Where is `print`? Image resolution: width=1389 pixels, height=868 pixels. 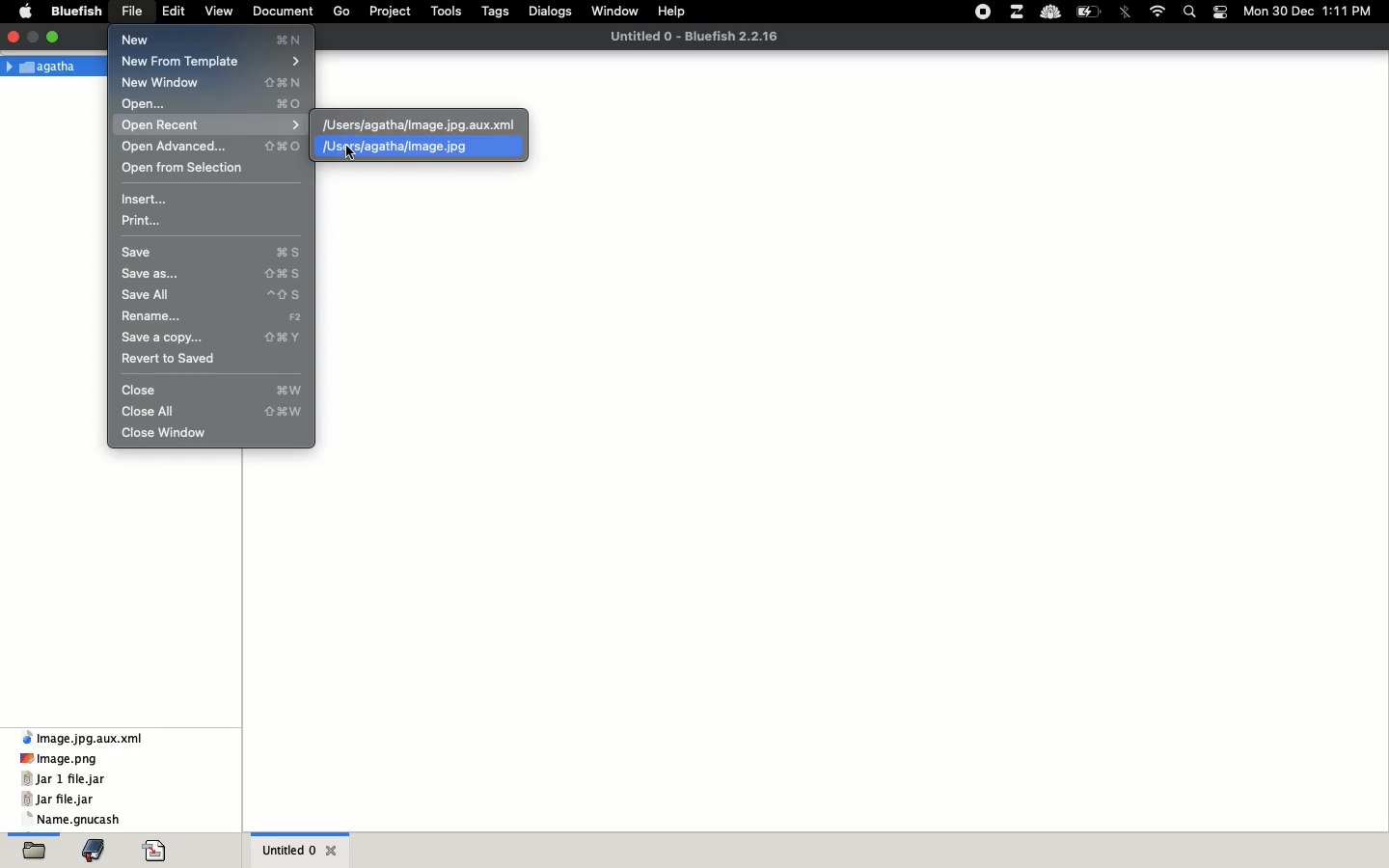
print is located at coordinates (143, 221).